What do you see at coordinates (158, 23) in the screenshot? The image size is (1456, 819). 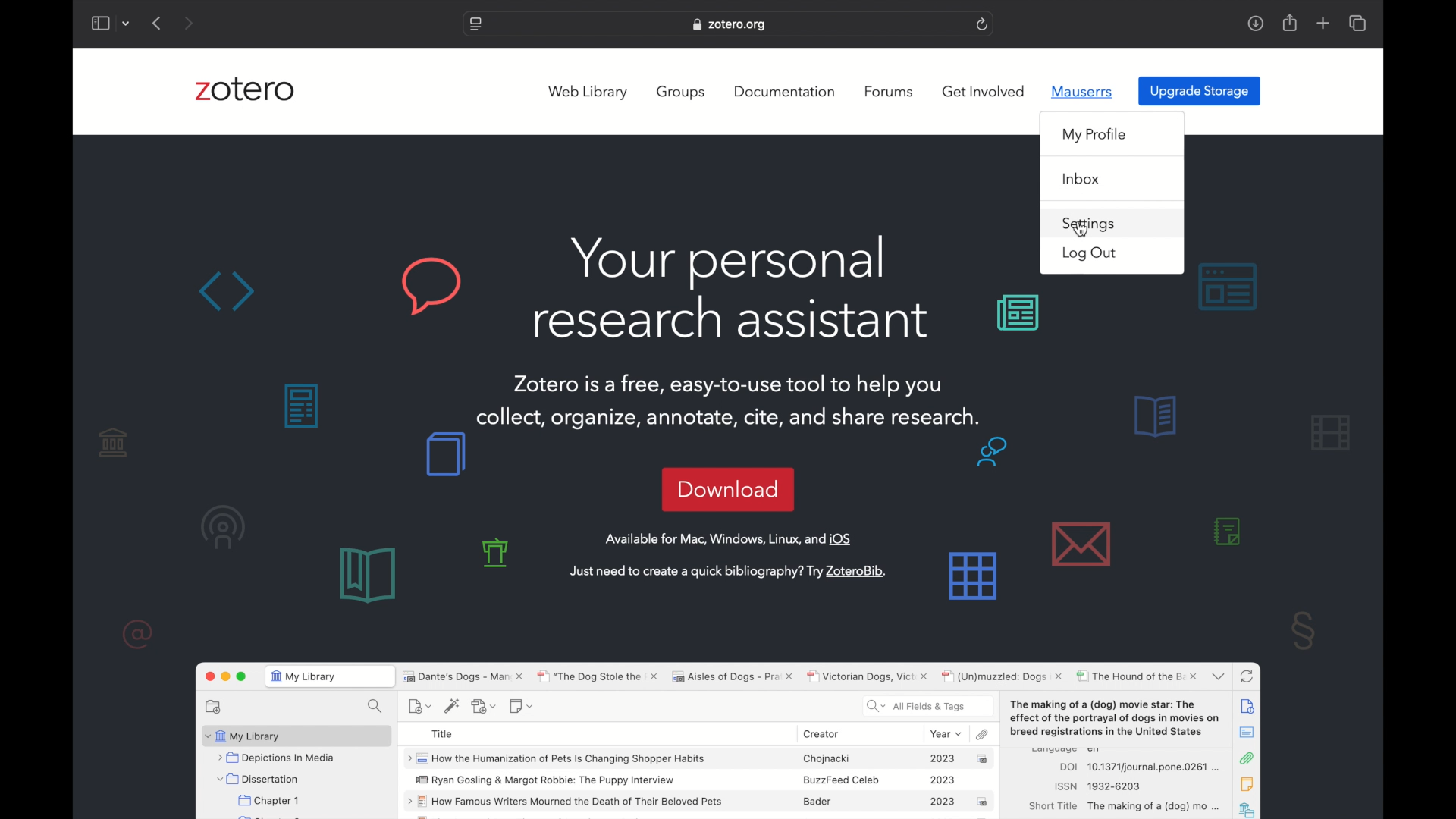 I see `previous` at bounding box center [158, 23].